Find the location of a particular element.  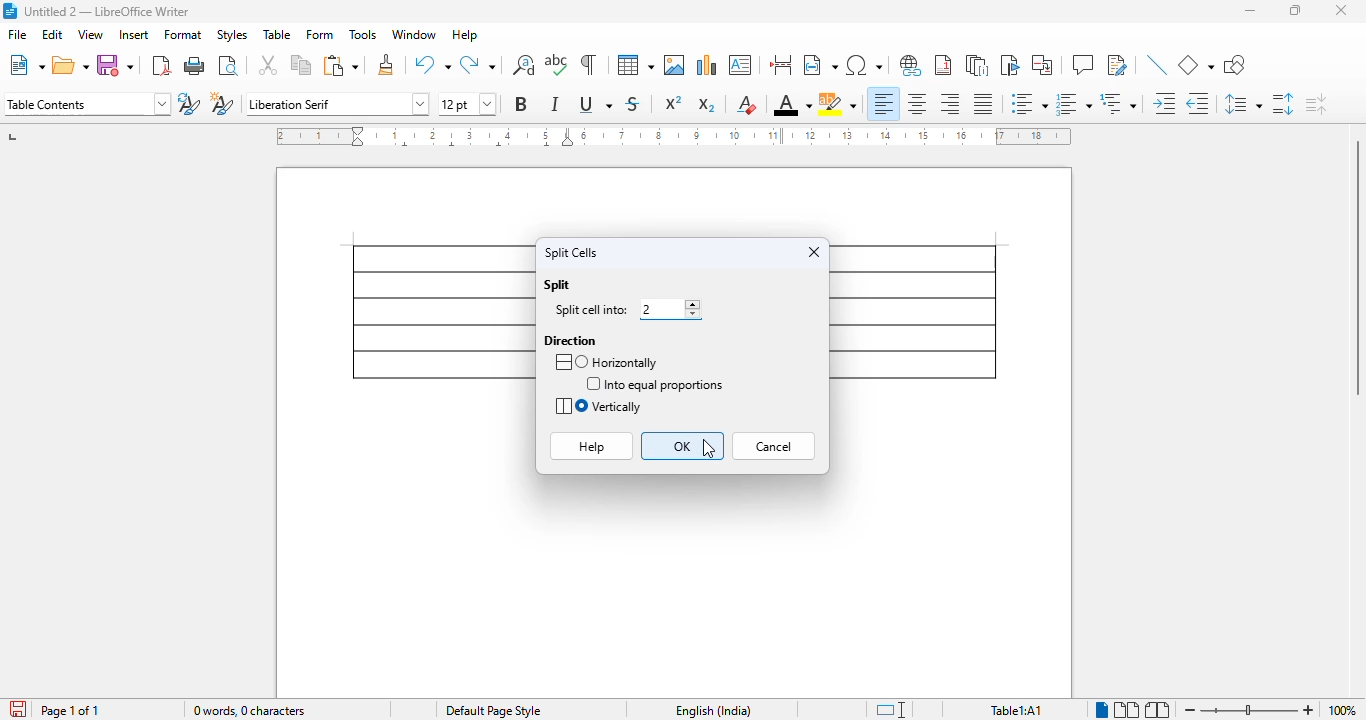

window is located at coordinates (414, 34).